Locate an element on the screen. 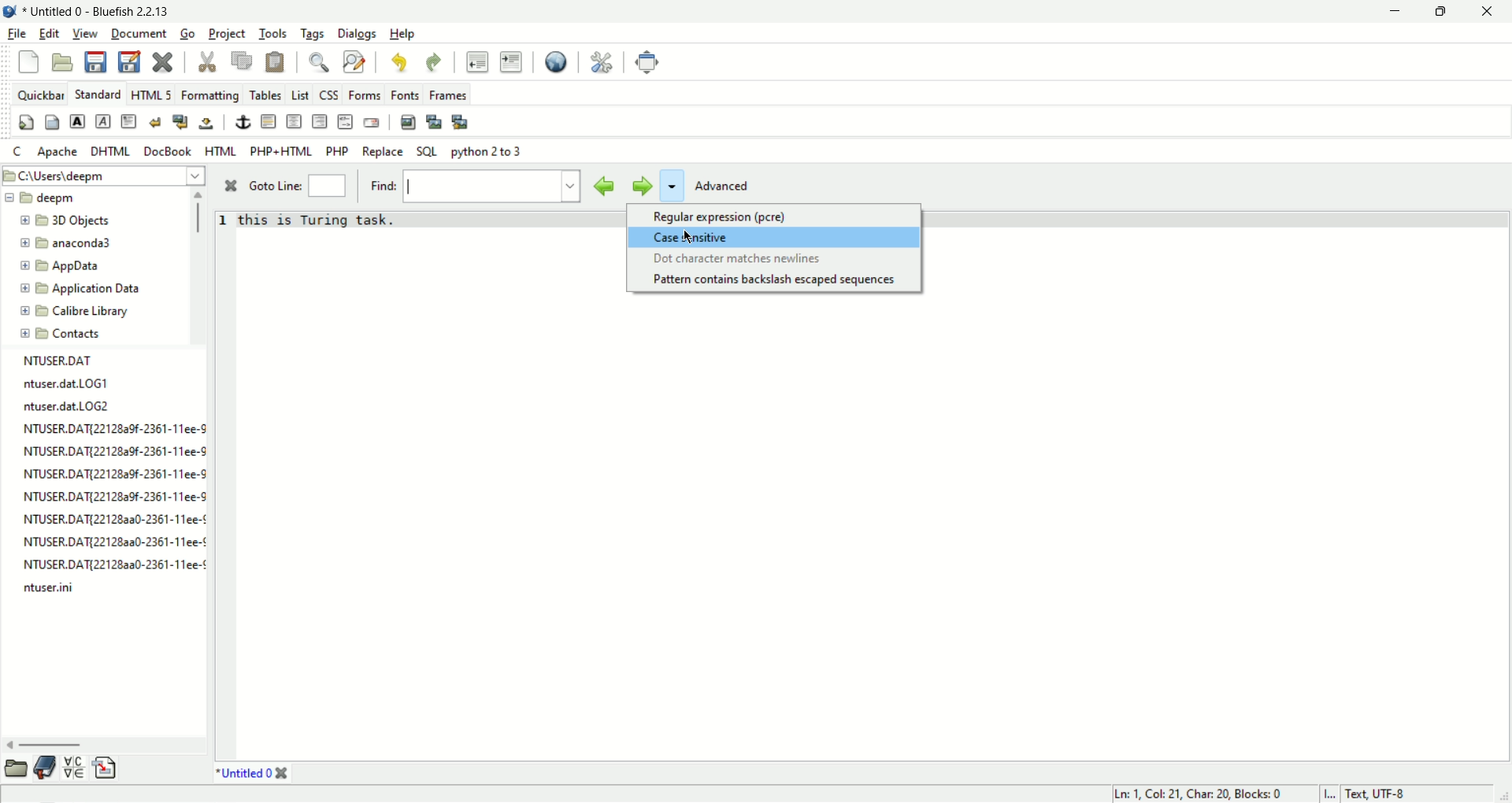 Image resolution: width=1512 pixels, height=803 pixels. HTML 5 is located at coordinates (150, 94).